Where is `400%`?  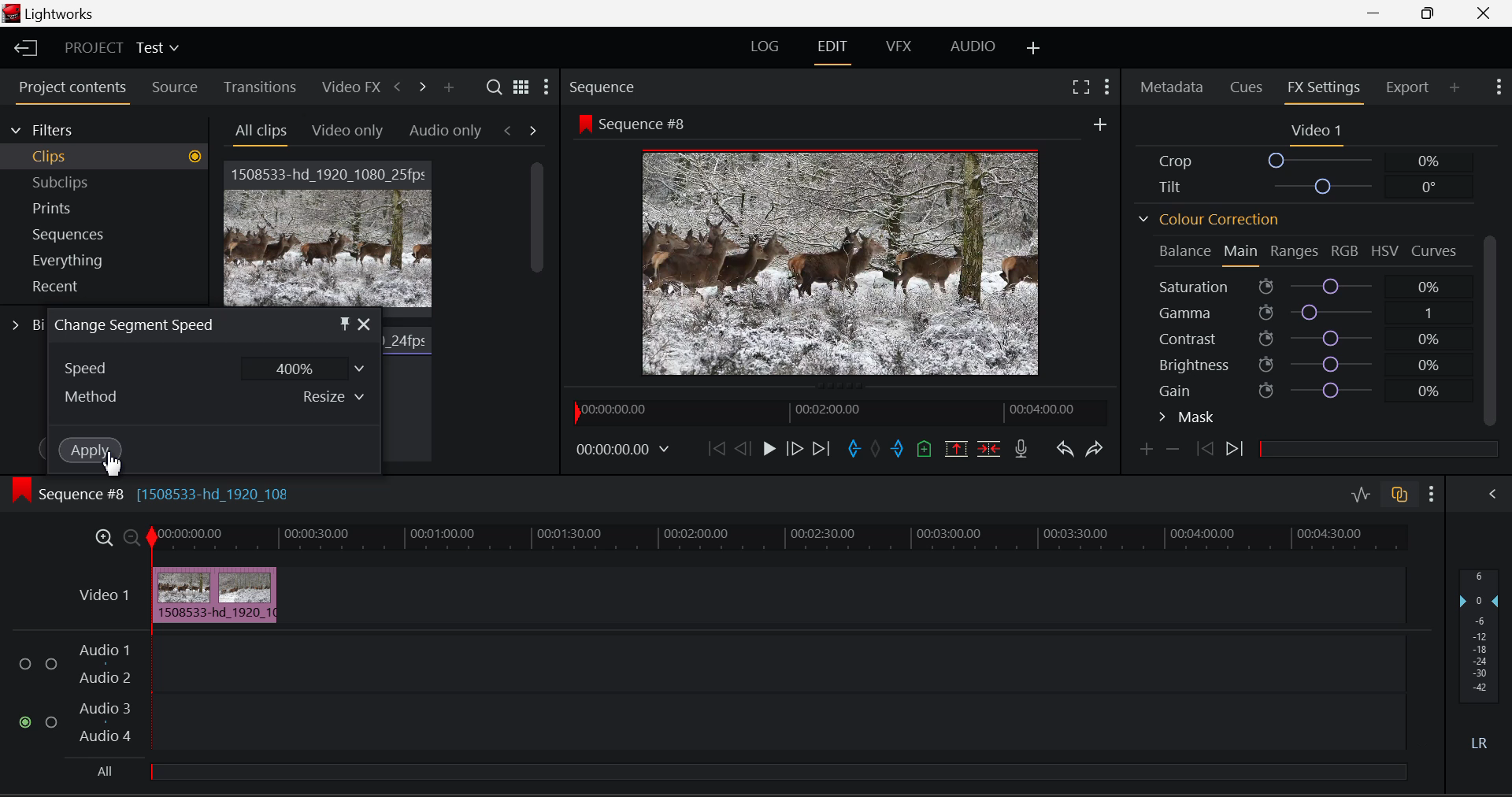 400% is located at coordinates (304, 367).